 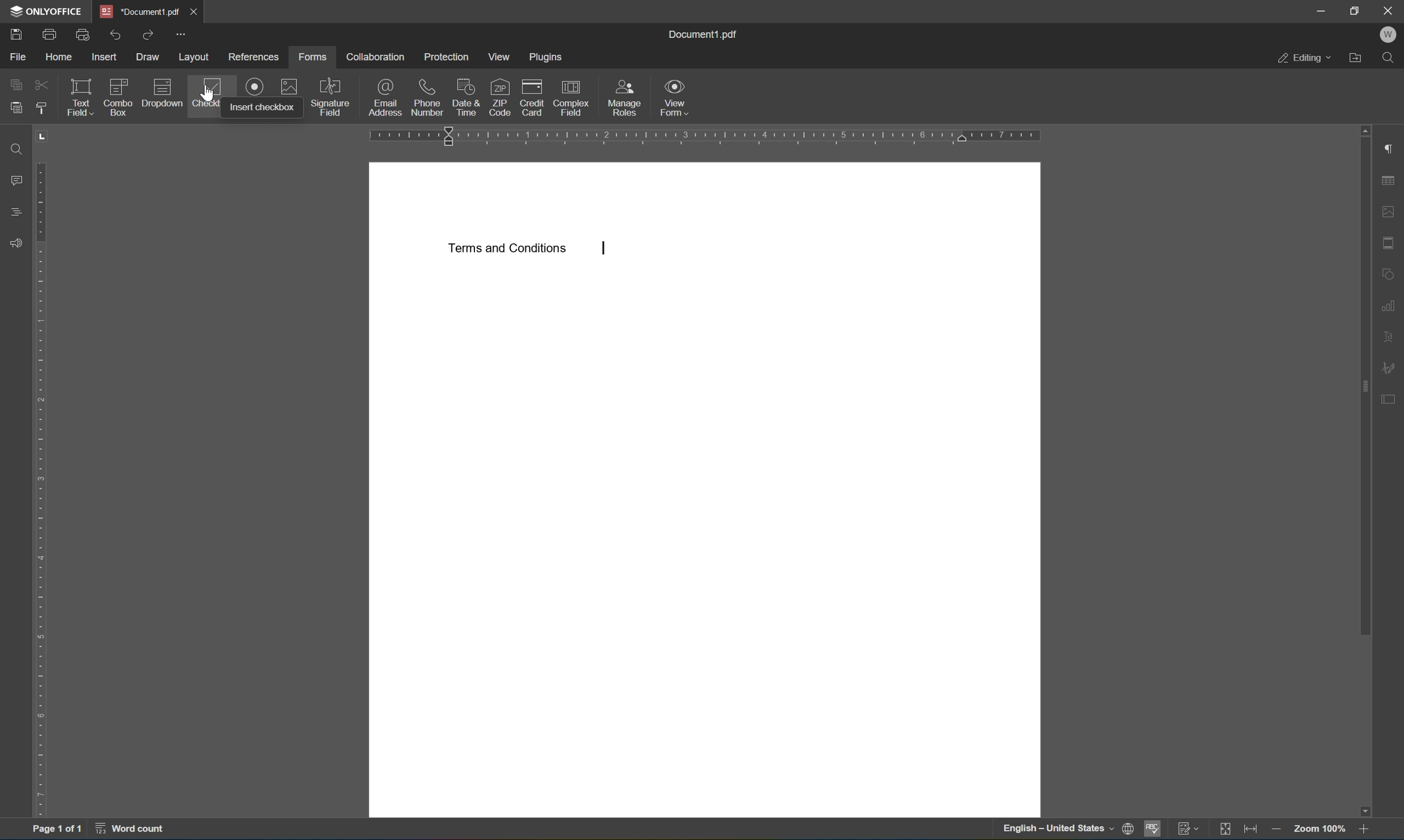 I want to click on editing, so click(x=1306, y=58).